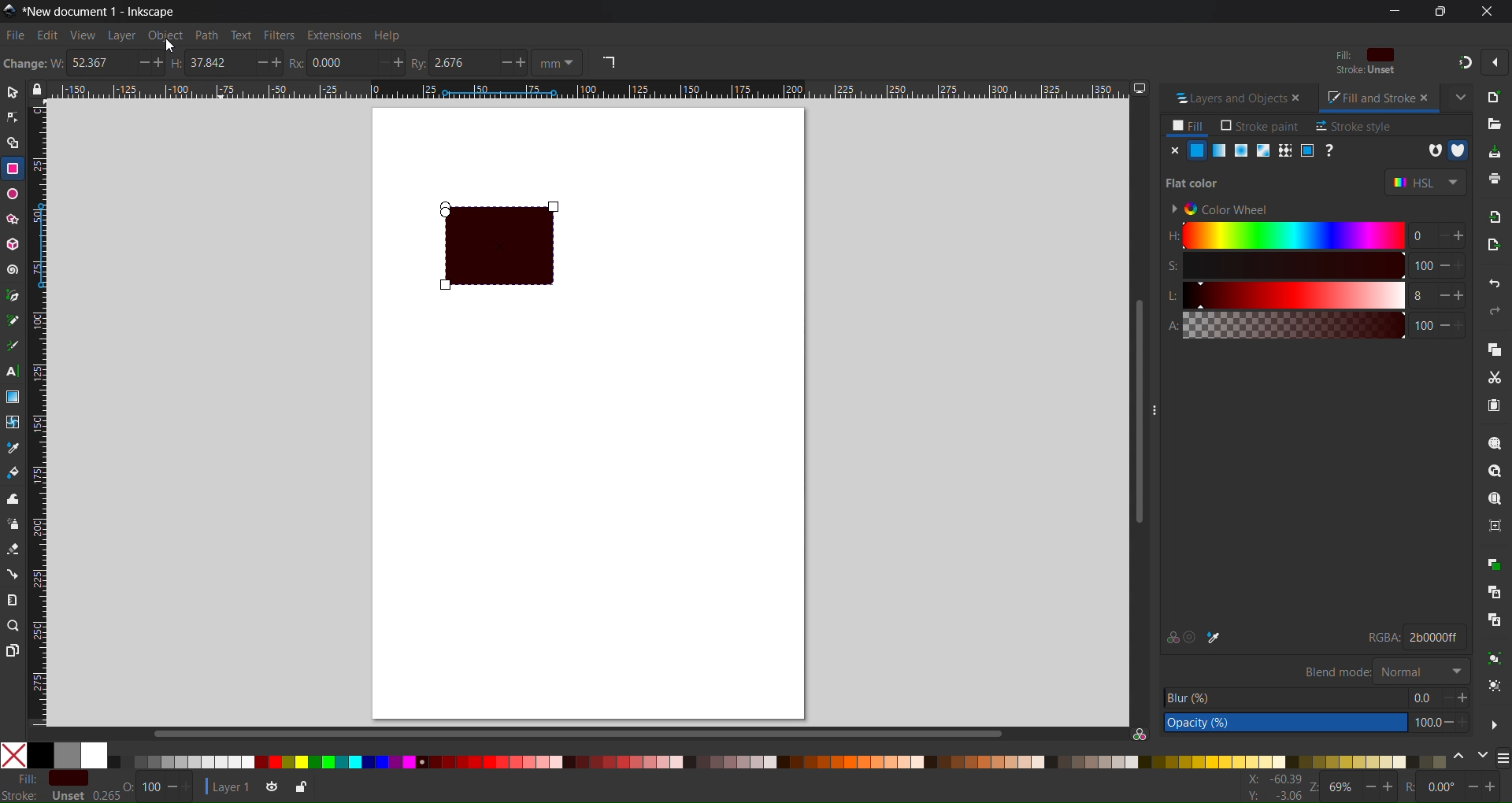  Describe the element at coordinates (95, 64) in the screenshot. I see `Width of the rectangle 52.367` at that location.